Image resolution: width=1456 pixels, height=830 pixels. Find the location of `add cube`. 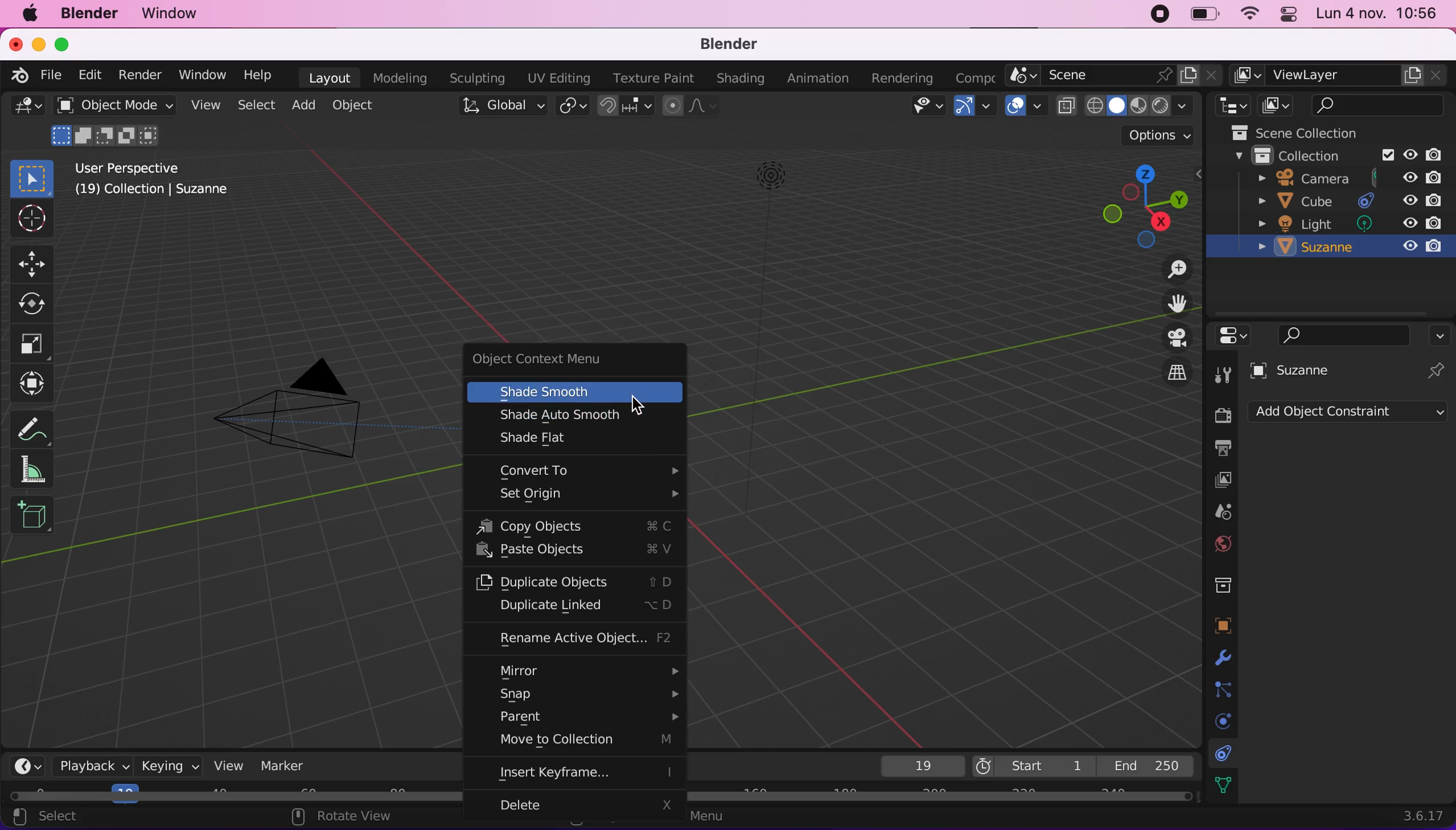

add cube is located at coordinates (35, 519).